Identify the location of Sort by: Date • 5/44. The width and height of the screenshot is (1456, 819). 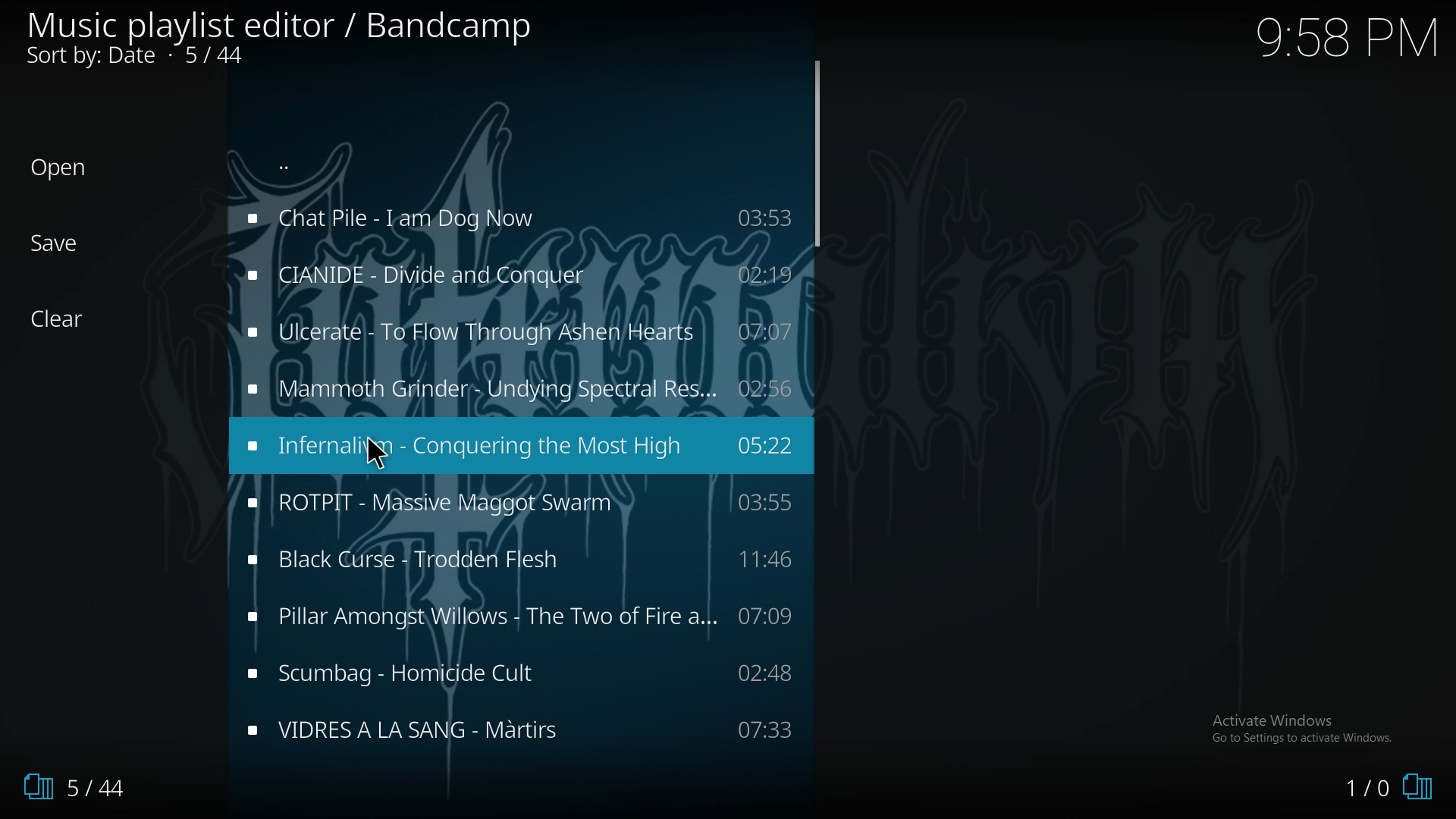
(161, 58).